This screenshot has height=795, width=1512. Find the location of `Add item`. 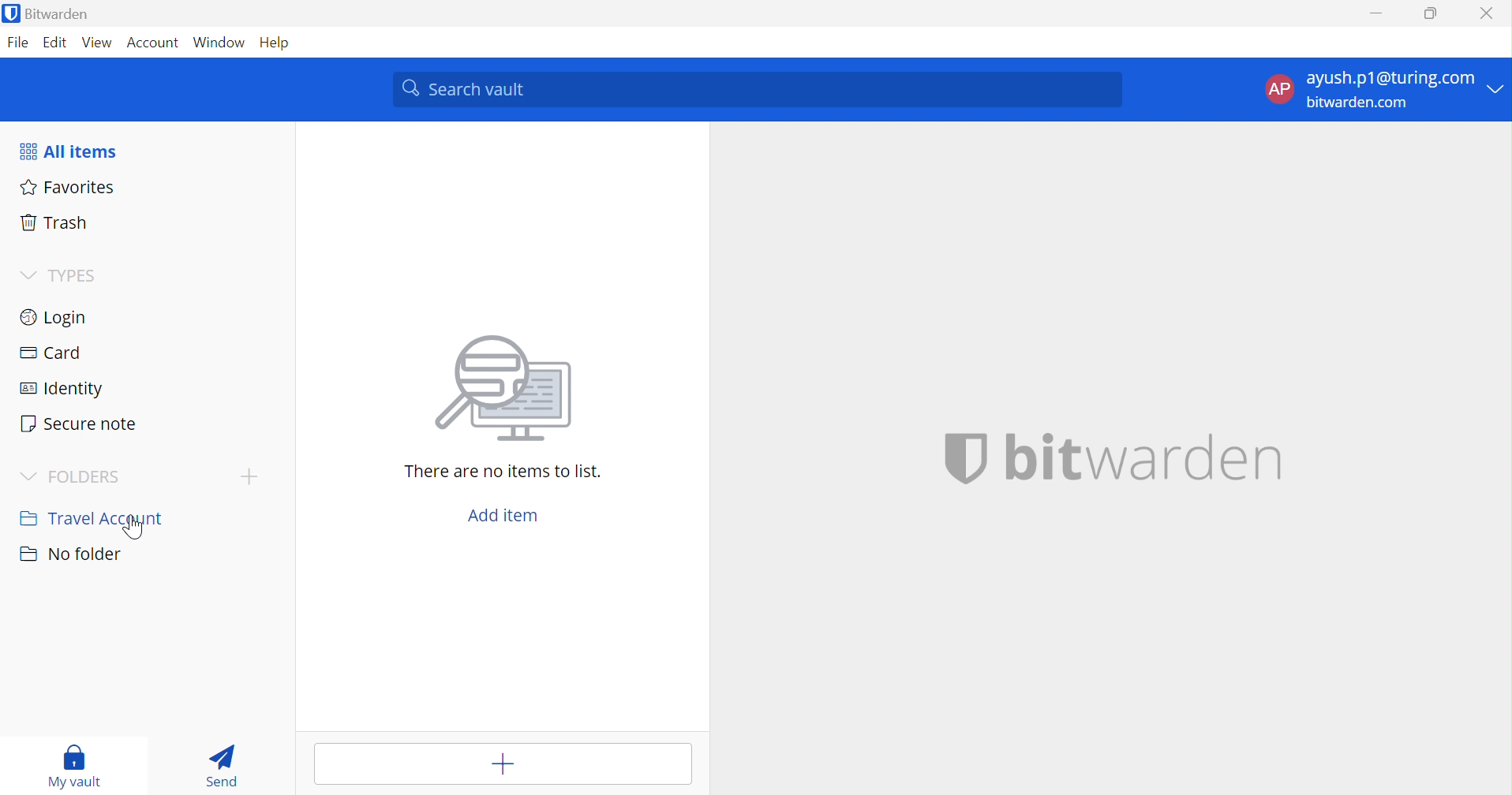

Add item is located at coordinates (506, 512).